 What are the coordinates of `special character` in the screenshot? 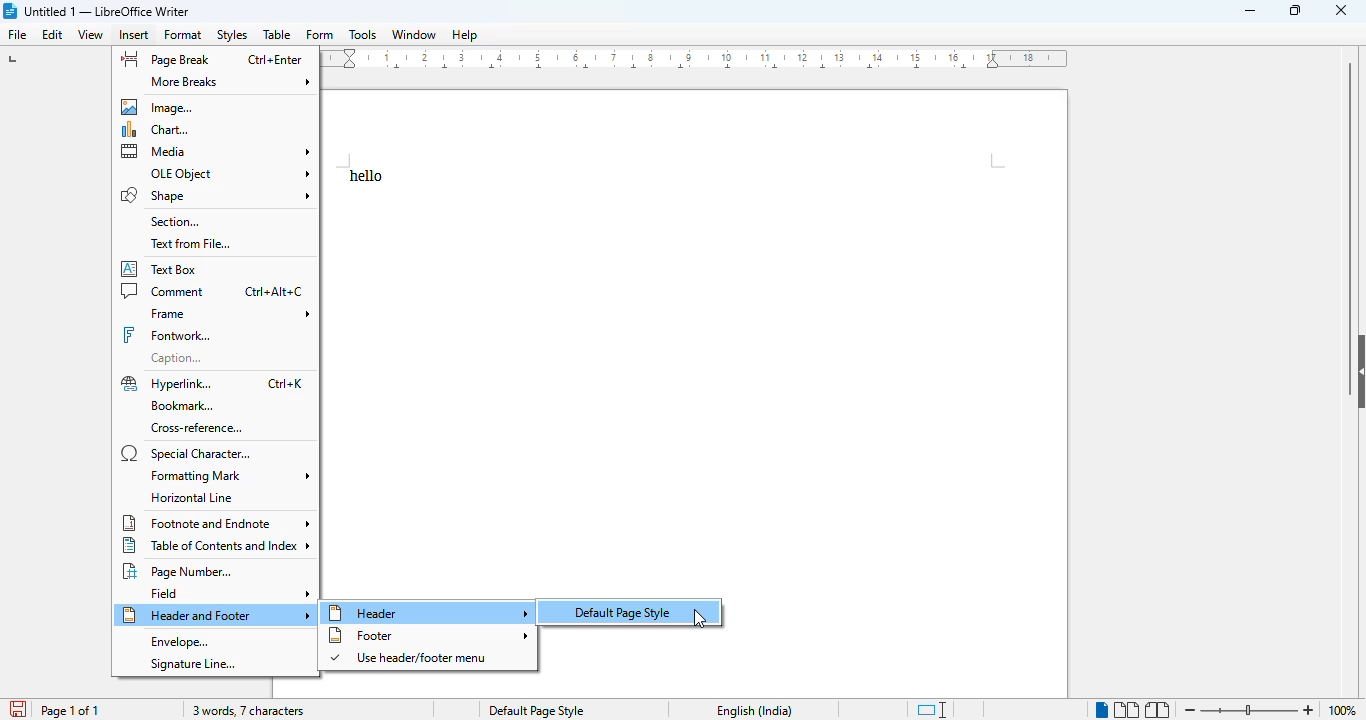 It's located at (188, 453).